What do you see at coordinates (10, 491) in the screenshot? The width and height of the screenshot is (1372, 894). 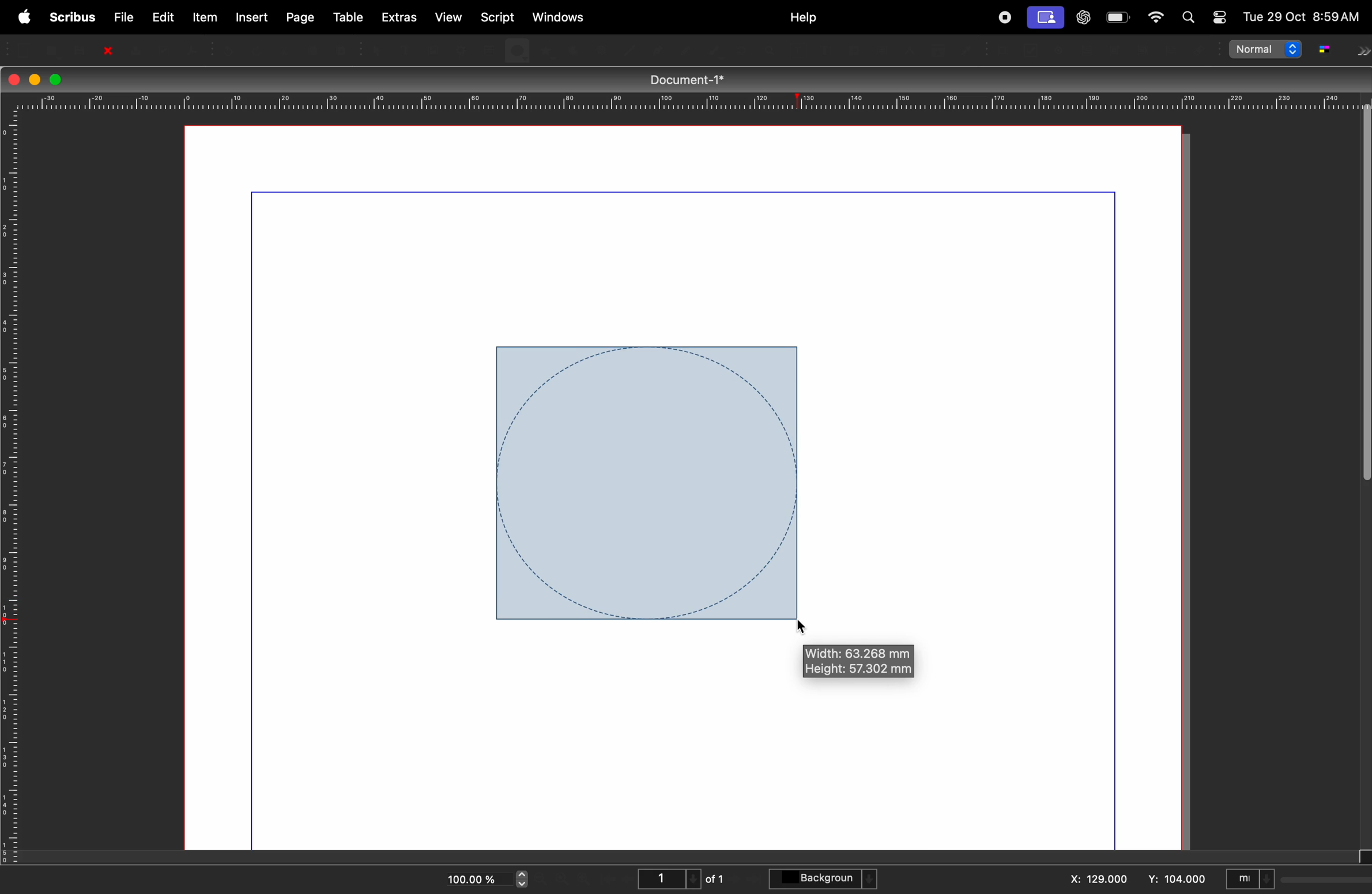 I see `vertical scale` at bounding box center [10, 491].